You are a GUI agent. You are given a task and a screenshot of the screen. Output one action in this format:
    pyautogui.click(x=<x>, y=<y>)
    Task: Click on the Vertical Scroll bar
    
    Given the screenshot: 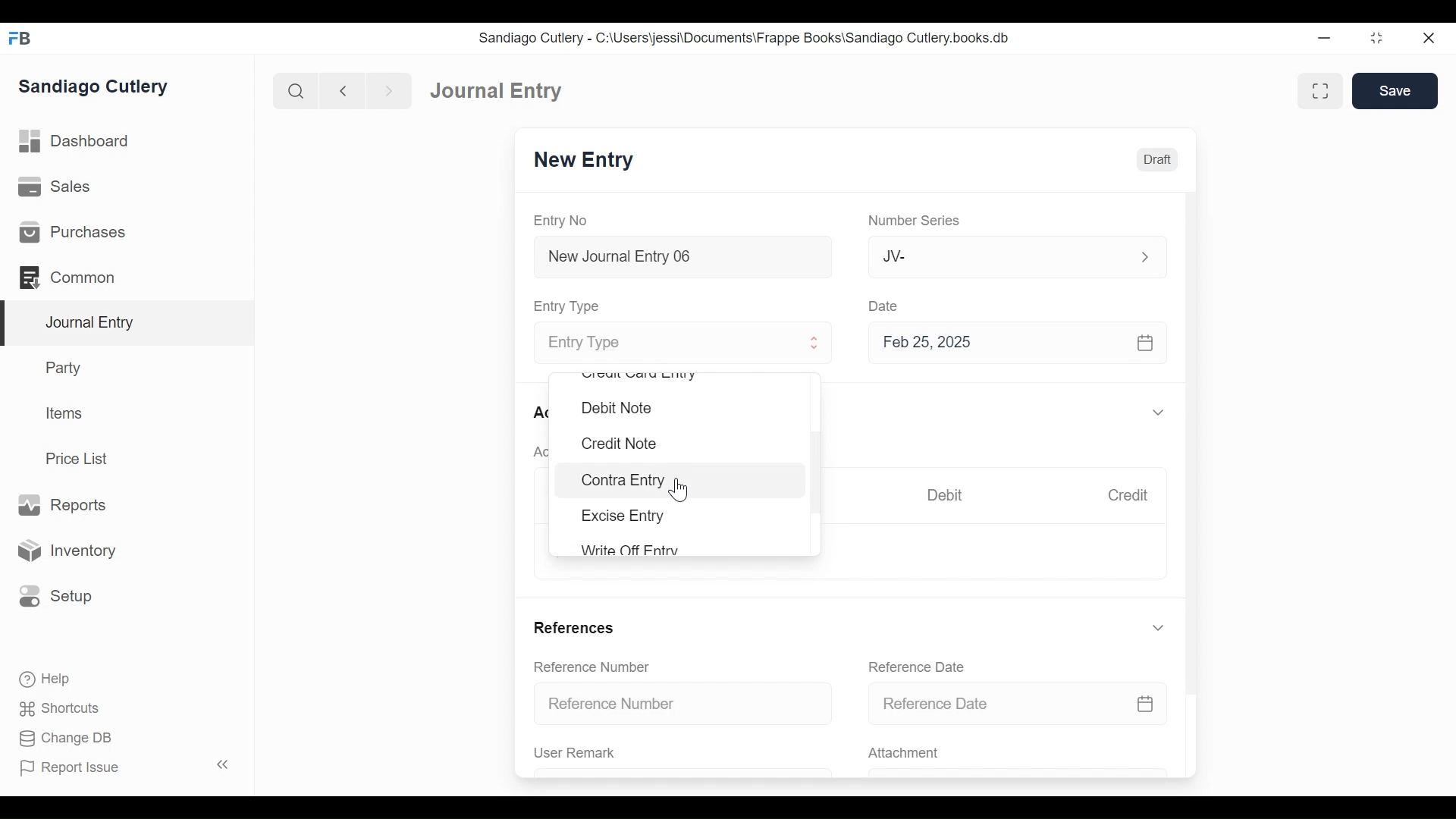 What is the action you would take?
    pyautogui.click(x=1193, y=431)
    